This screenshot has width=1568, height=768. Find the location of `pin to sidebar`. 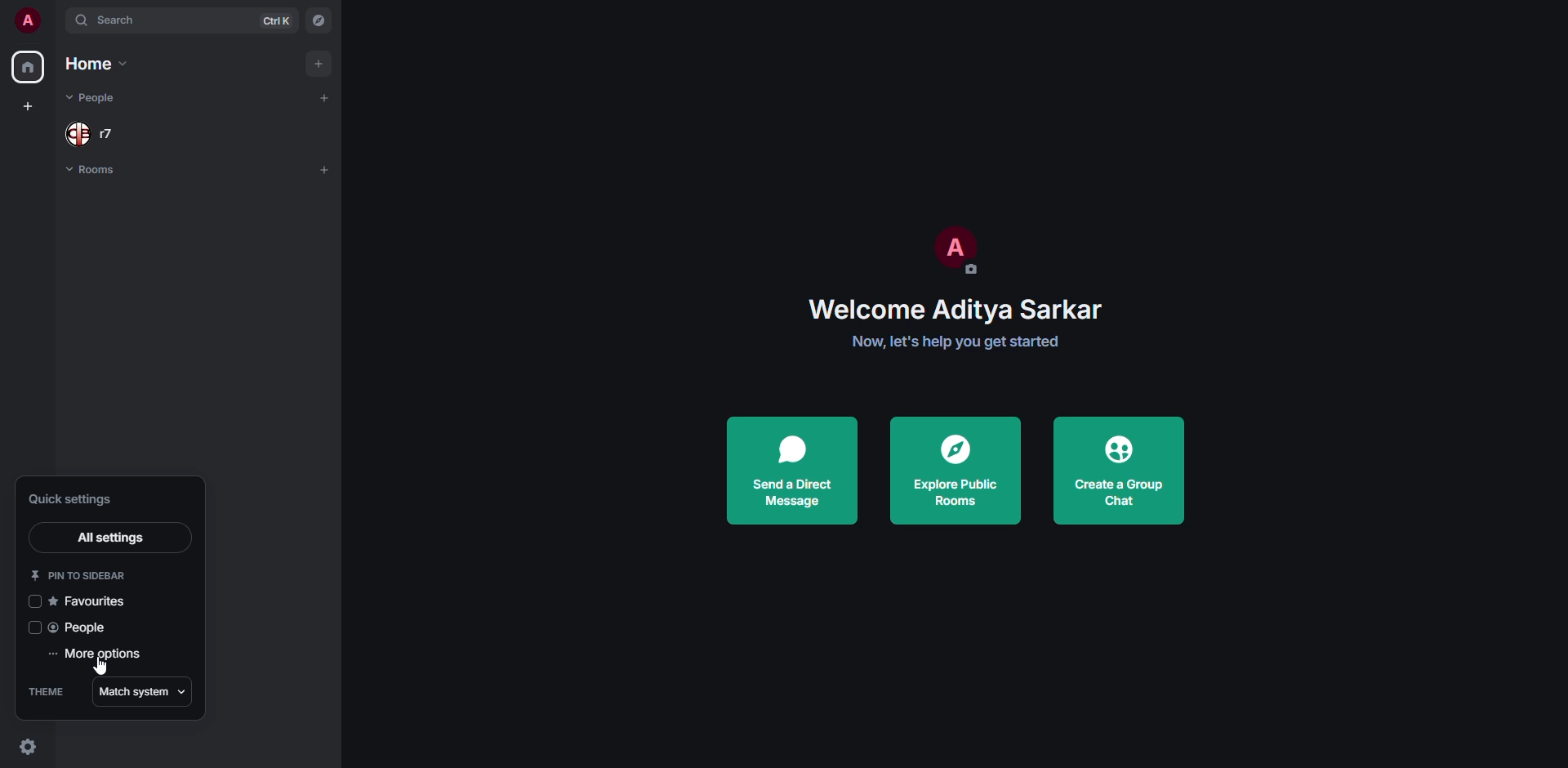

pin to sidebar is located at coordinates (80, 575).